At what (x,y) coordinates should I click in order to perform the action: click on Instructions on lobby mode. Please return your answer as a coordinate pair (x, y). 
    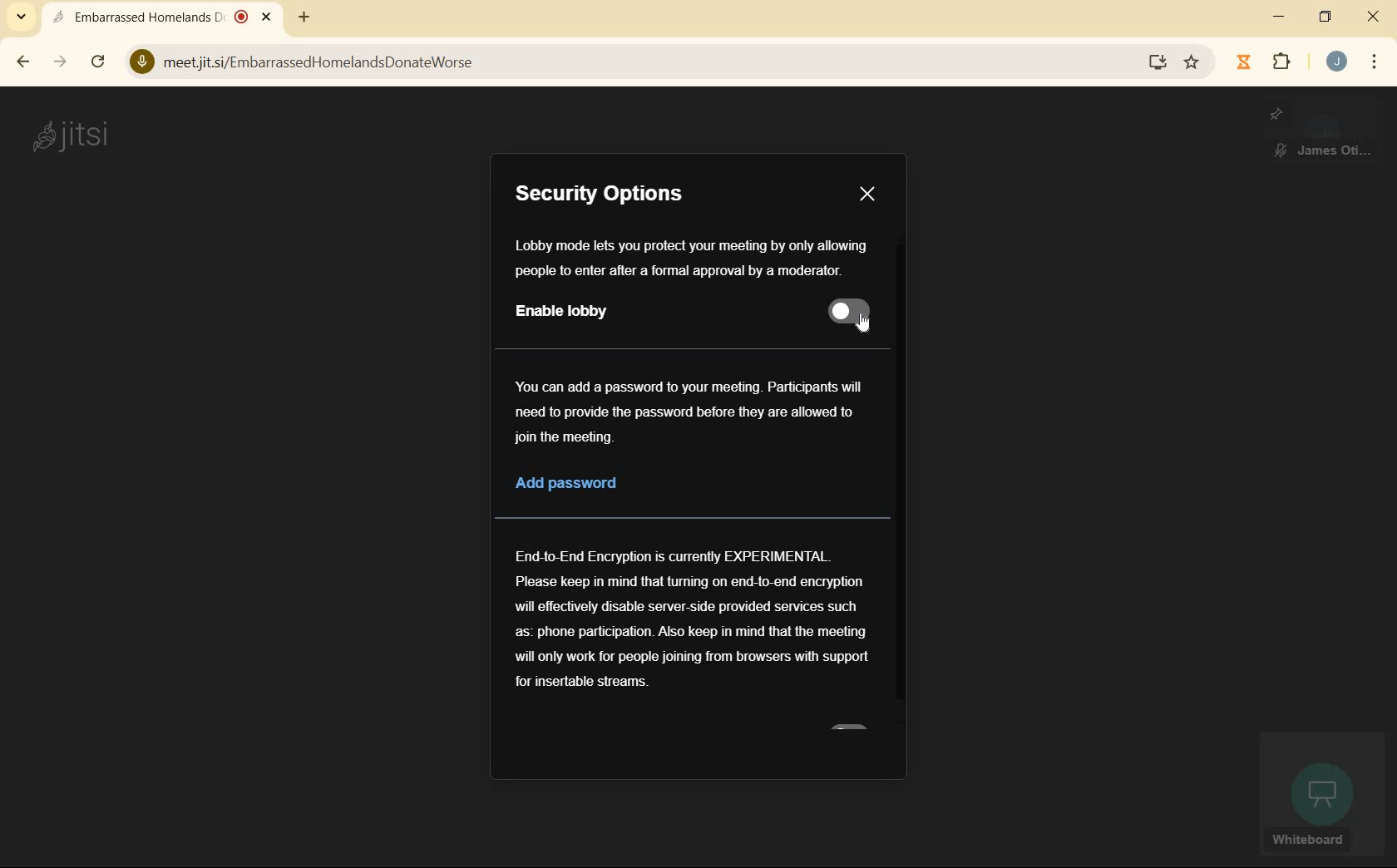
    Looking at the image, I should click on (691, 259).